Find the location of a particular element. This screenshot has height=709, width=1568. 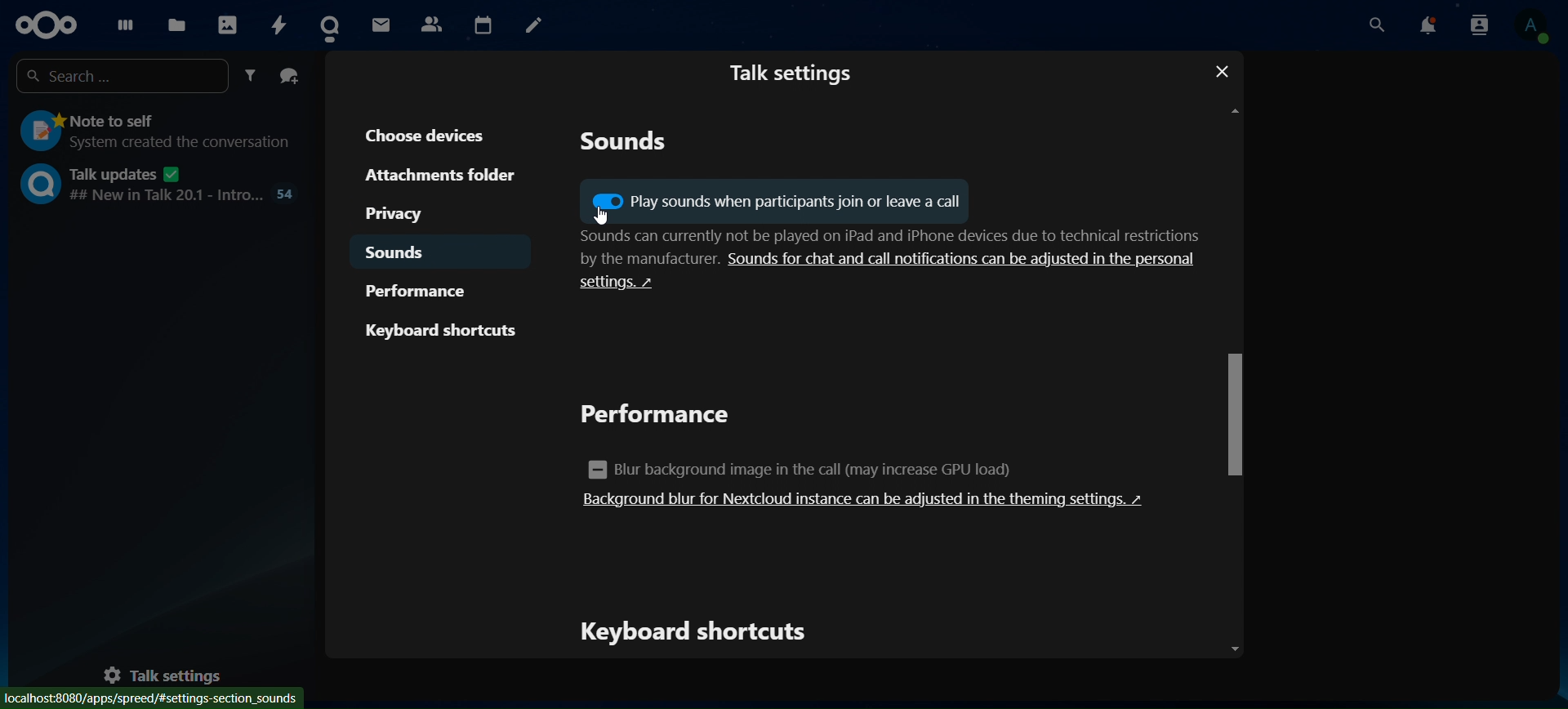

logo is located at coordinates (47, 25).